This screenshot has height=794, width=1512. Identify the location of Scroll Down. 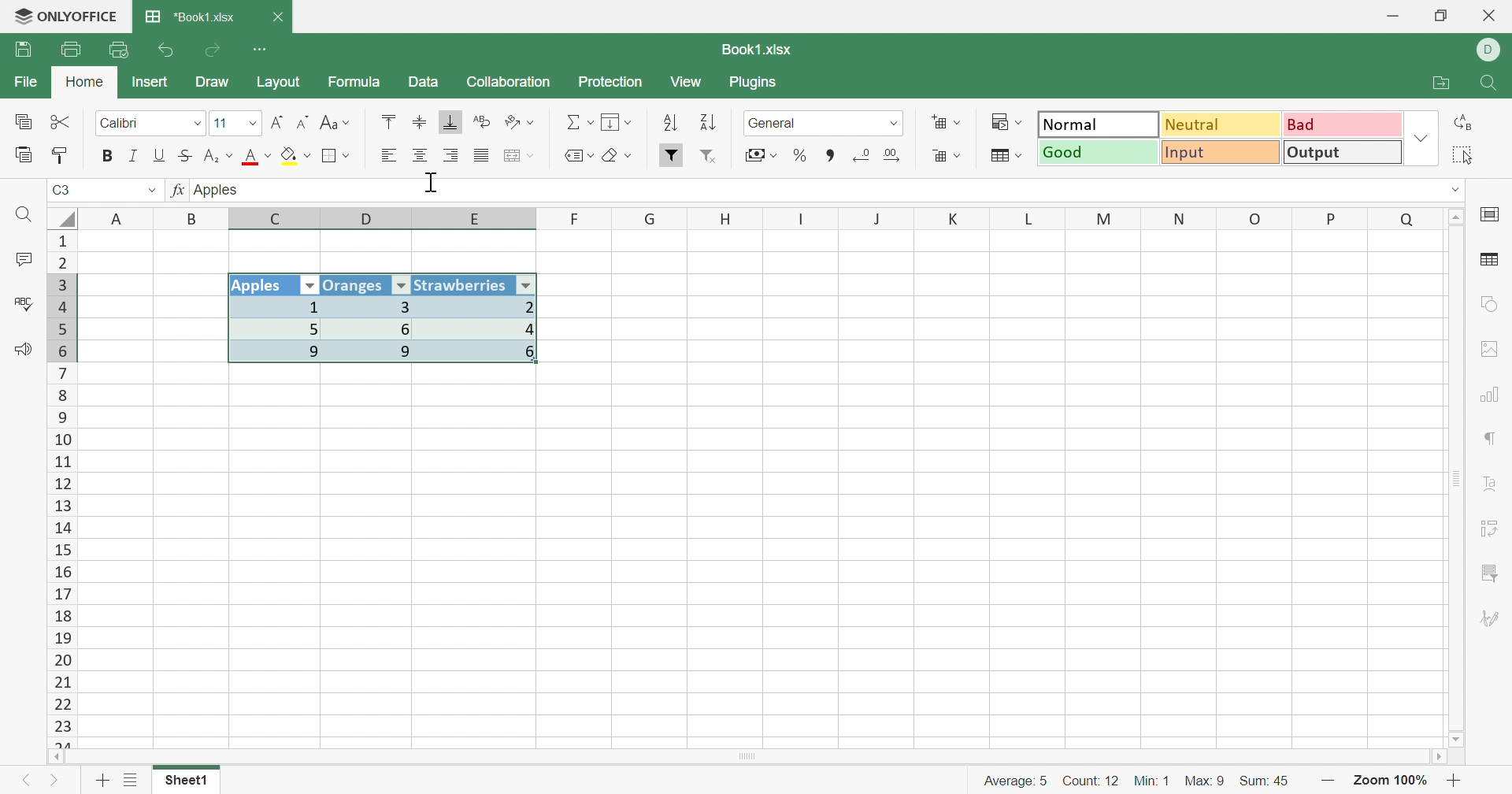
(1458, 738).